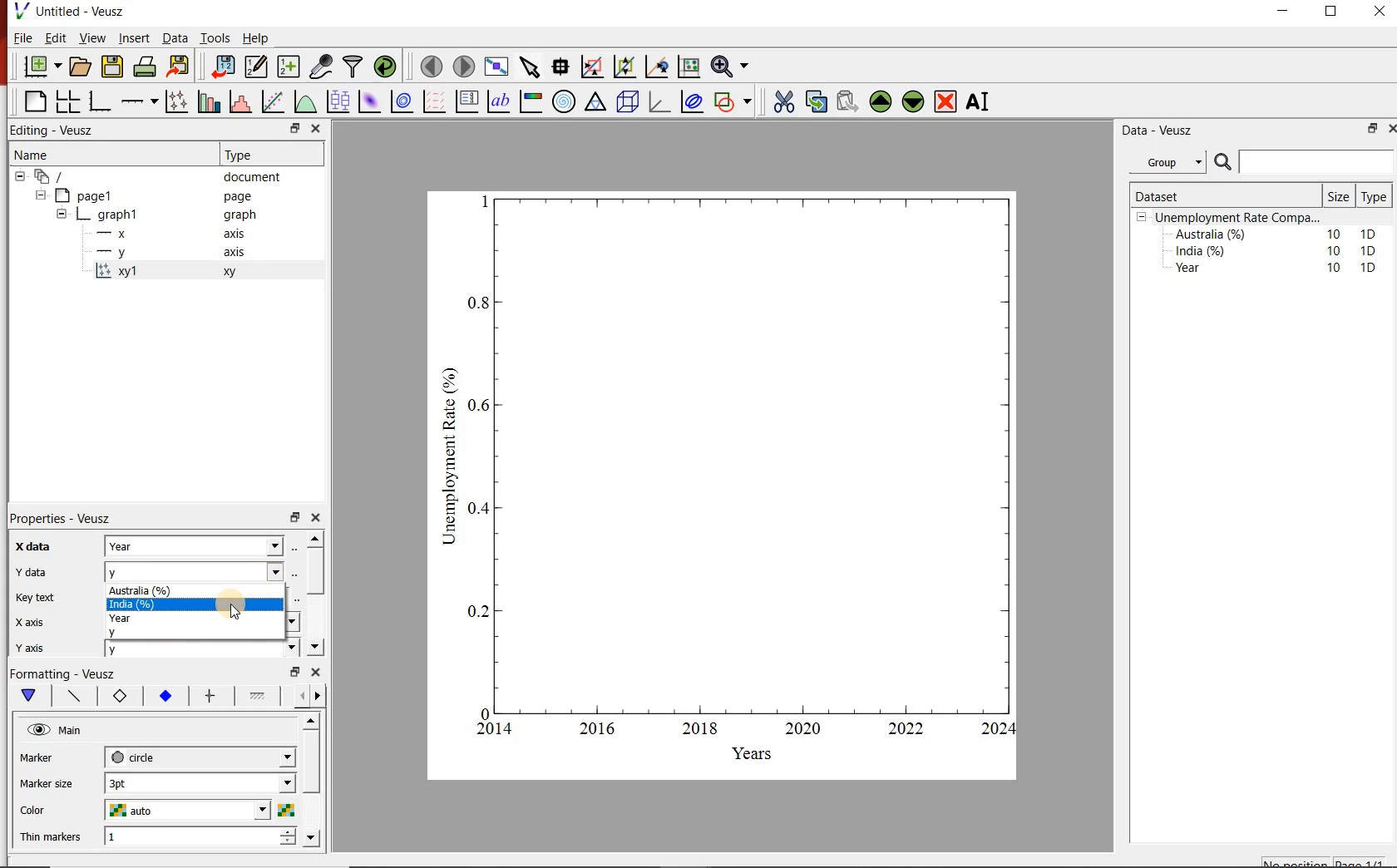 This screenshot has height=868, width=1397. What do you see at coordinates (733, 101) in the screenshot?
I see `add a shapes` at bounding box center [733, 101].